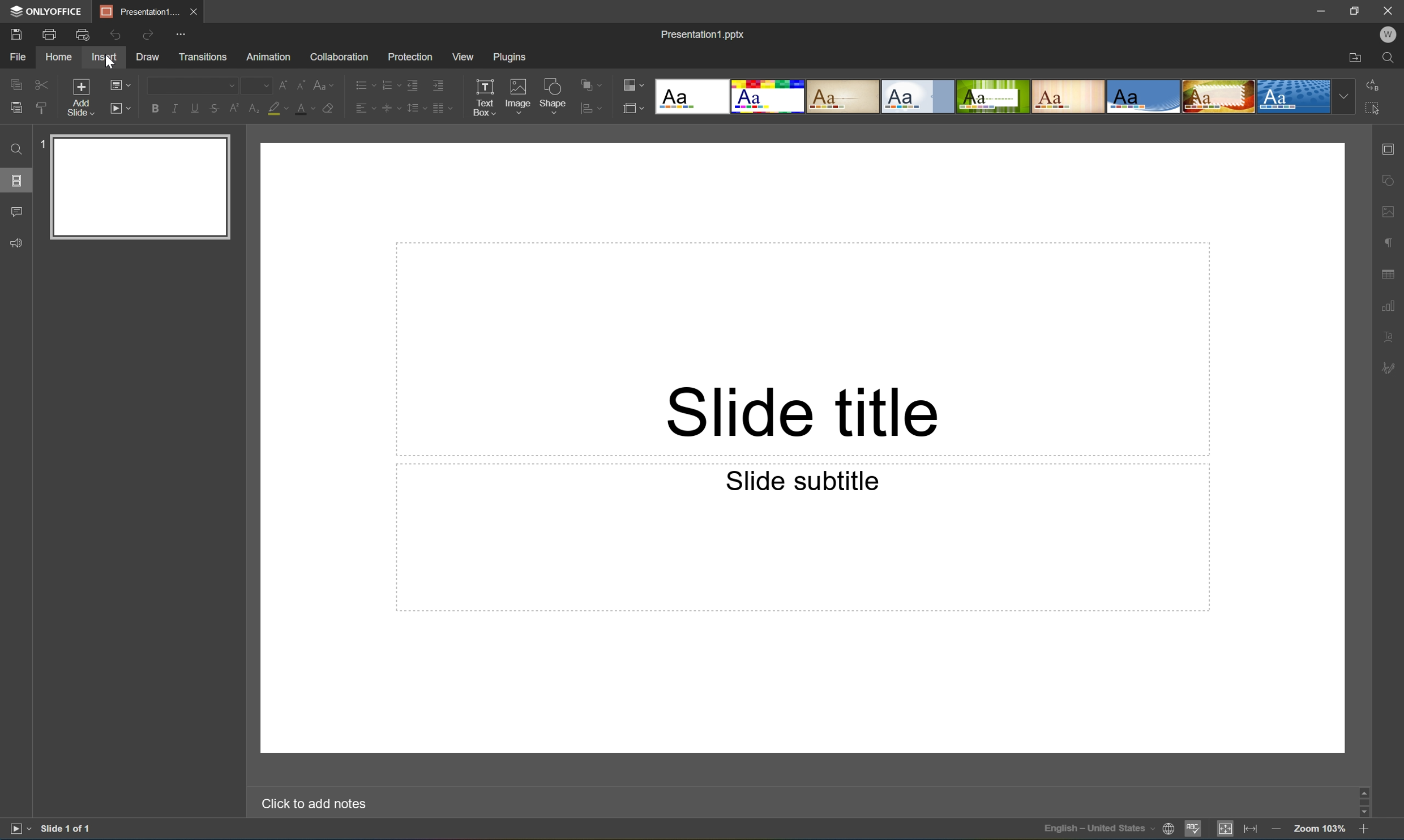 The image size is (1404, 840). Describe the element at coordinates (18, 213) in the screenshot. I see `Comment` at that location.